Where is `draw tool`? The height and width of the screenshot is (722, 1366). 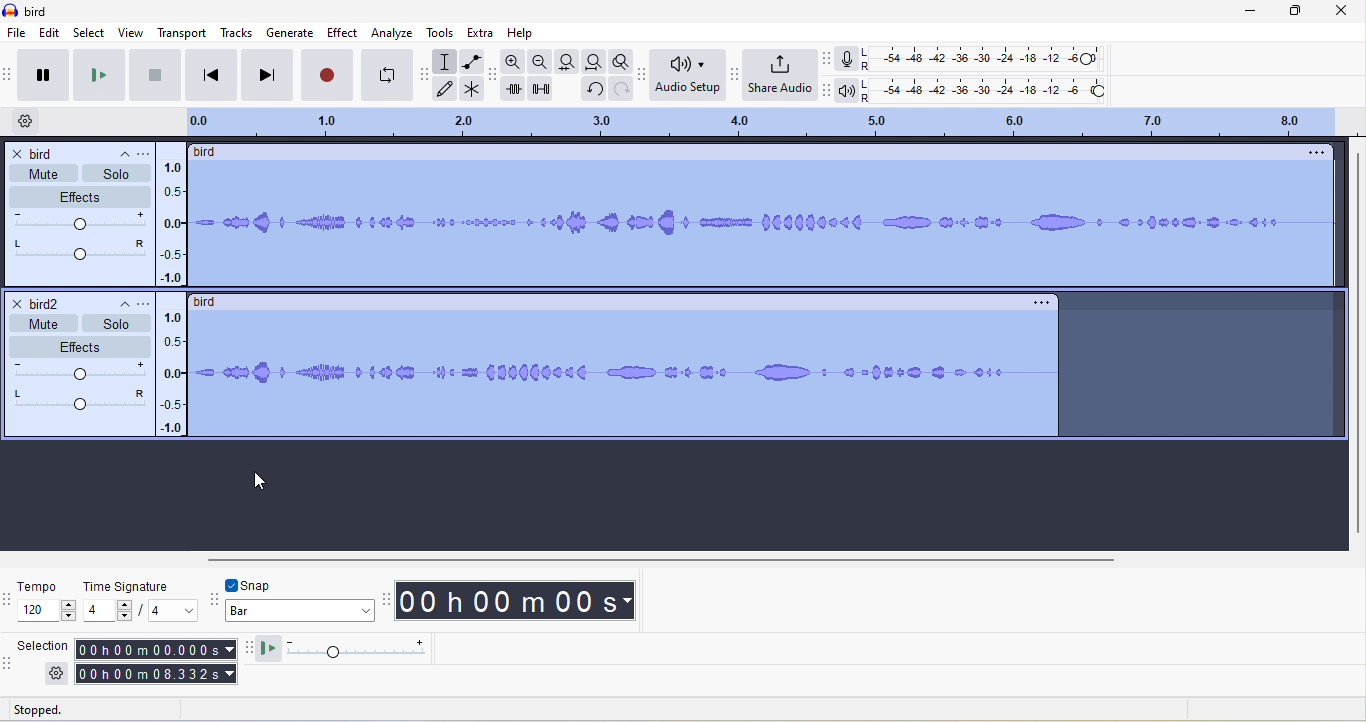
draw tool is located at coordinates (447, 90).